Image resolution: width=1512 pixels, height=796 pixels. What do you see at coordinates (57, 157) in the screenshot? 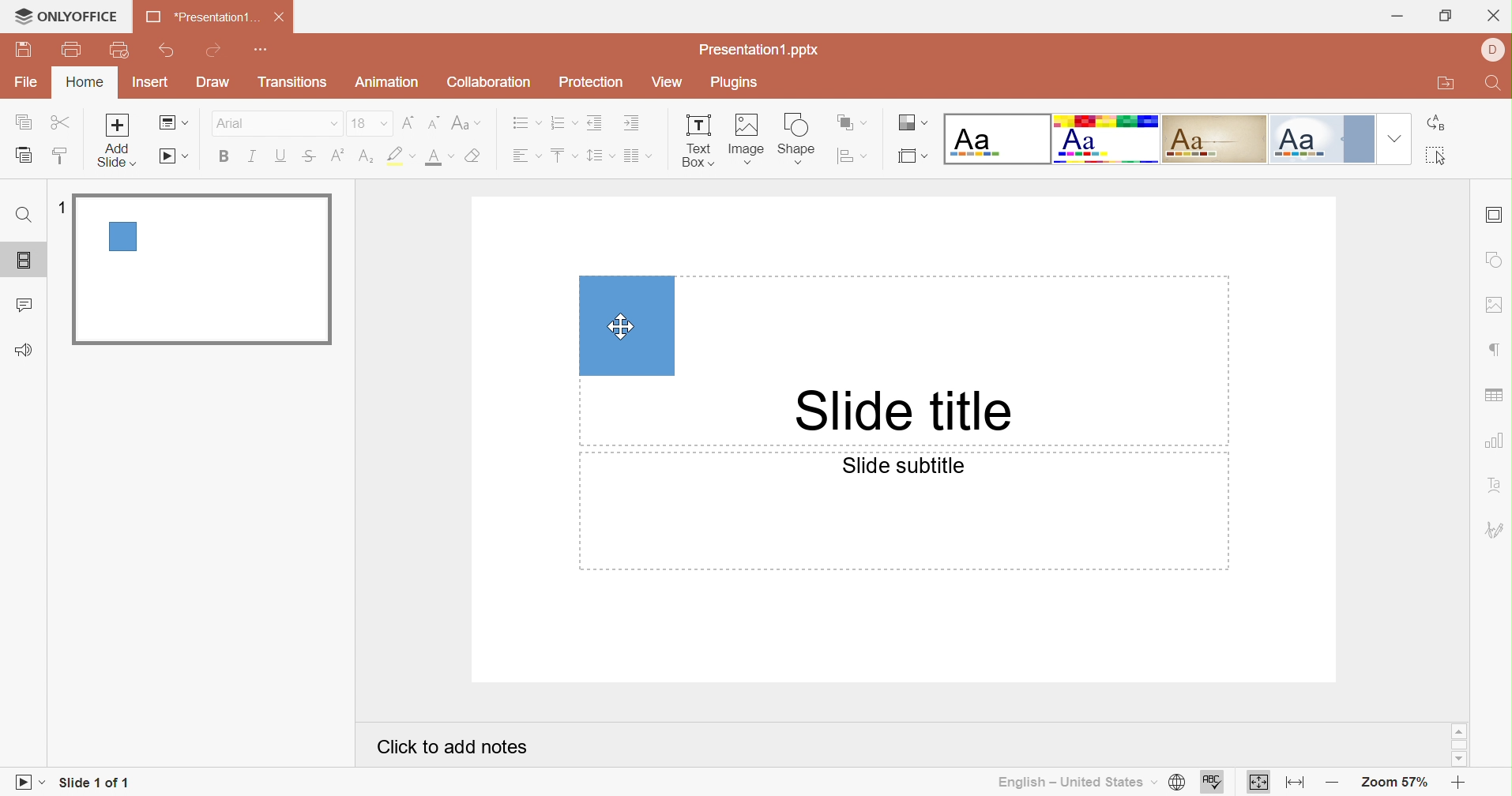
I see `Copy style` at bounding box center [57, 157].